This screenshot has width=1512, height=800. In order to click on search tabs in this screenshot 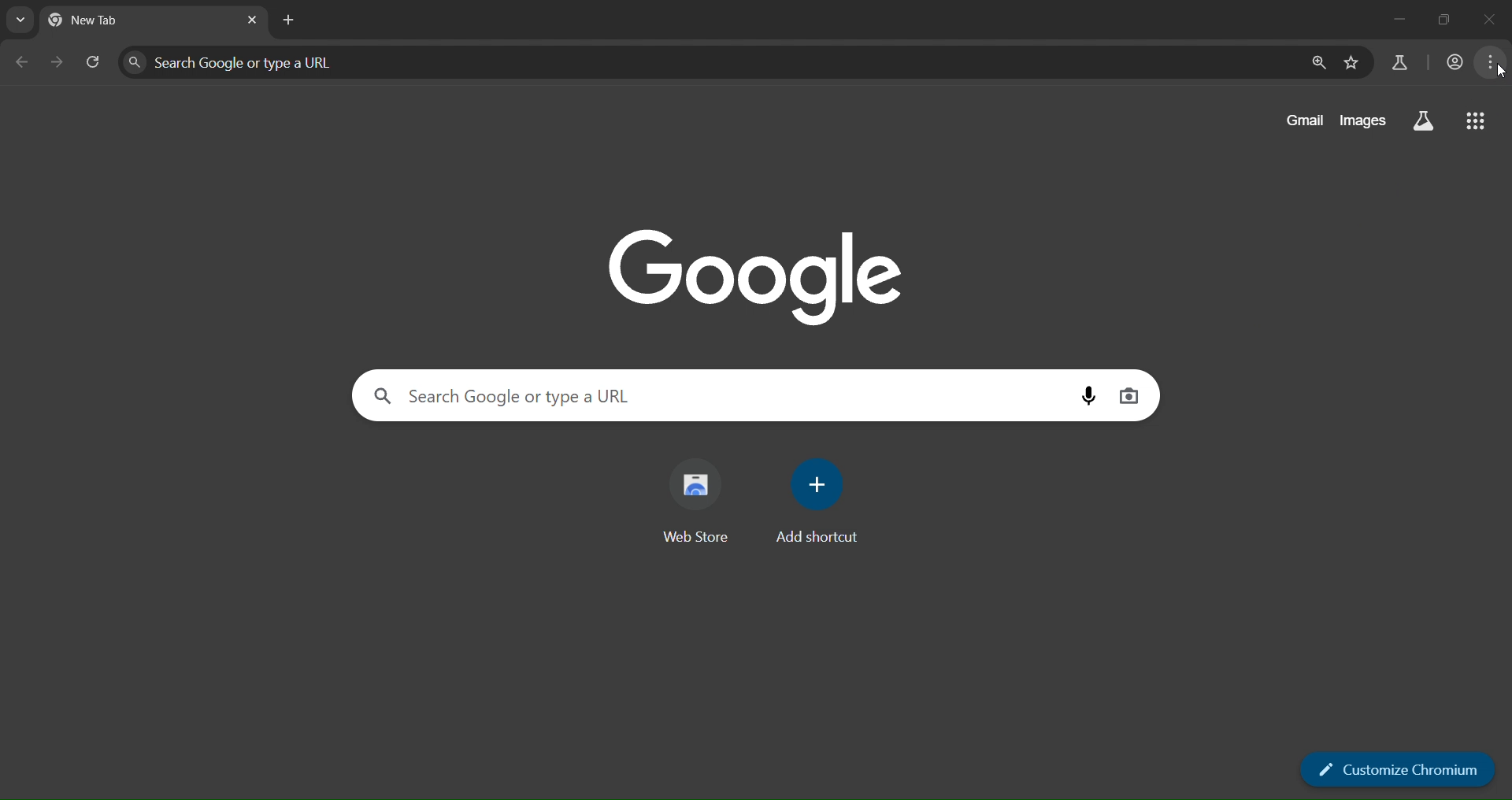, I will do `click(22, 22)`.